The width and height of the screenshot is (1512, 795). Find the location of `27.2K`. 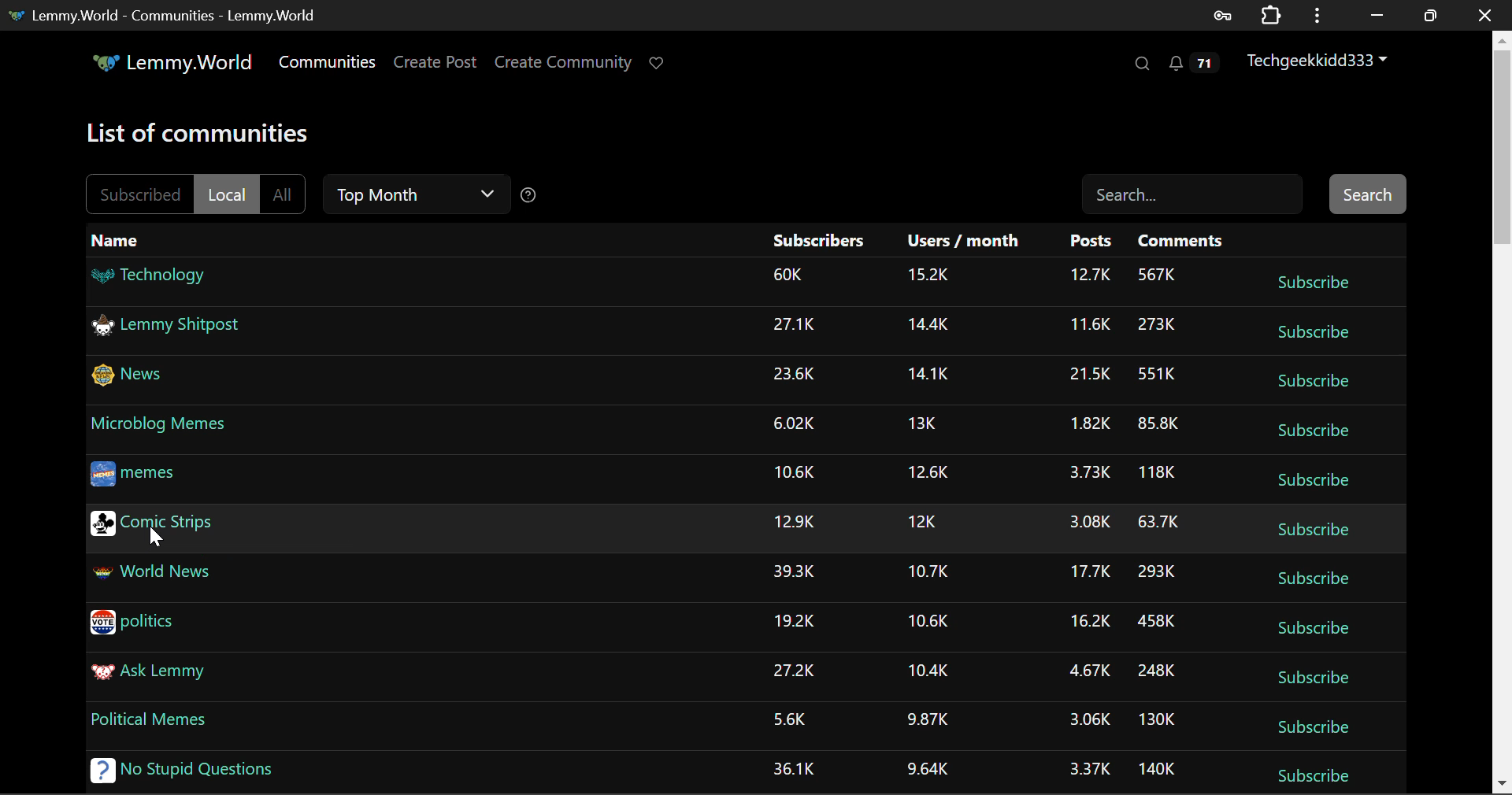

27.2K is located at coordinates (793, 671).